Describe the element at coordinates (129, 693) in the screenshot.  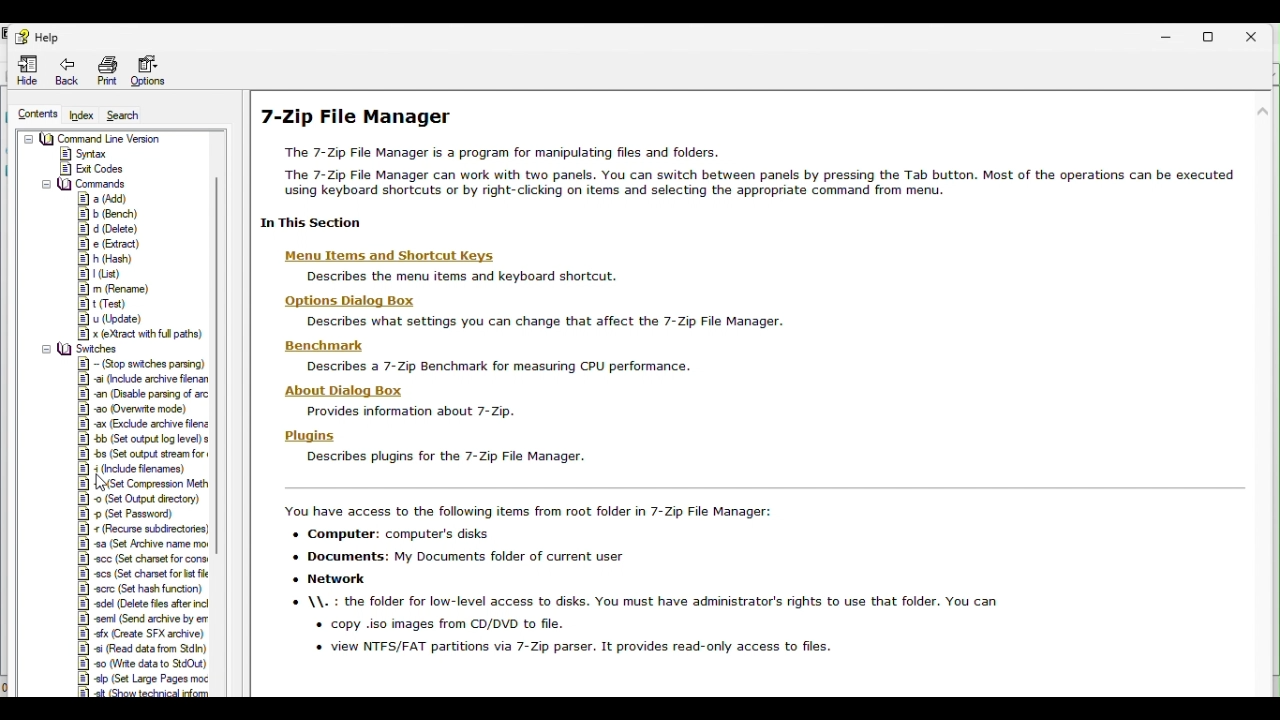
I see `show technical info` at that location.